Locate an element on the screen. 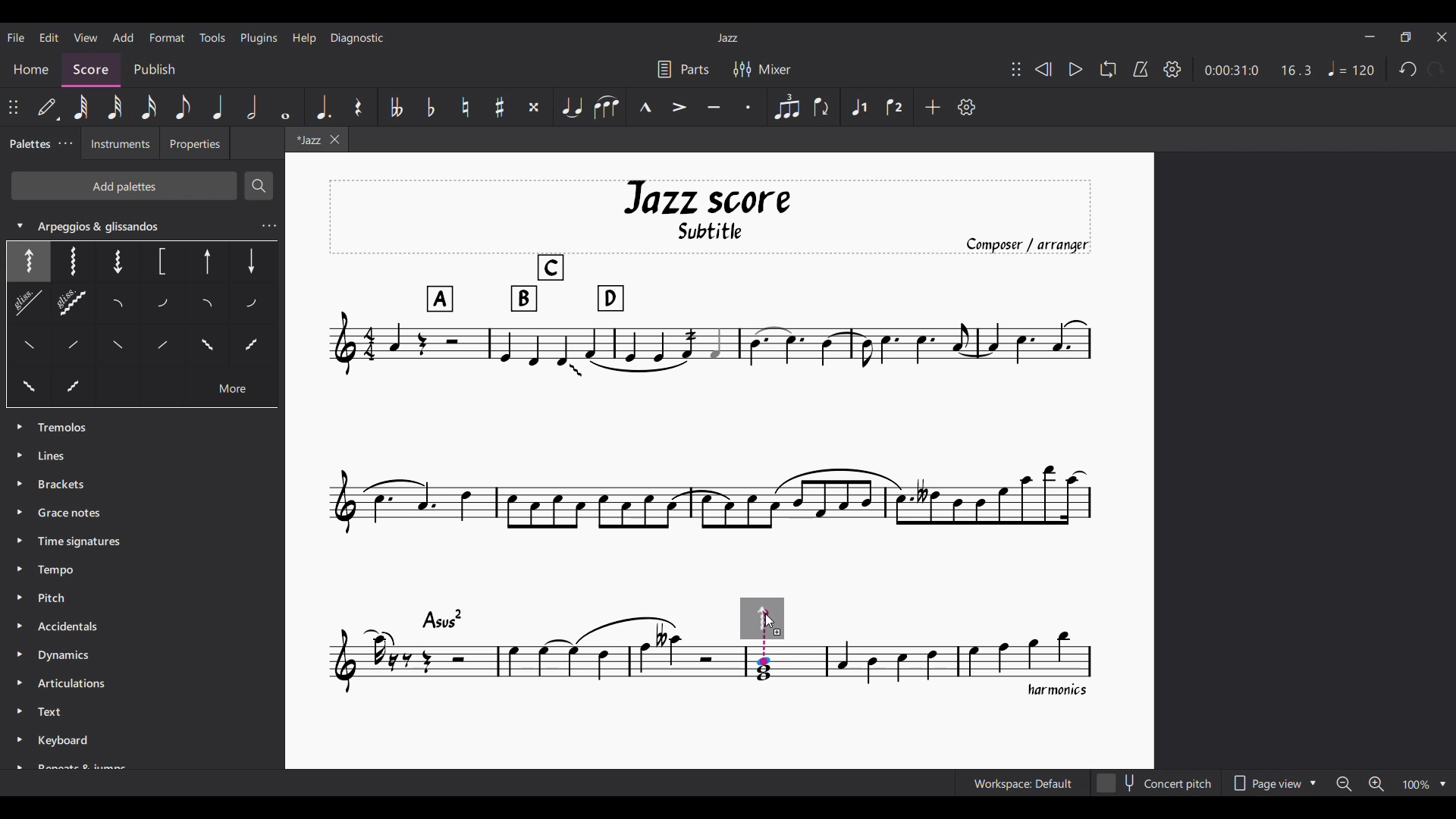 The height and width of the screenshot is (819, 1456). Collapse is located at coordinates (20, 225).